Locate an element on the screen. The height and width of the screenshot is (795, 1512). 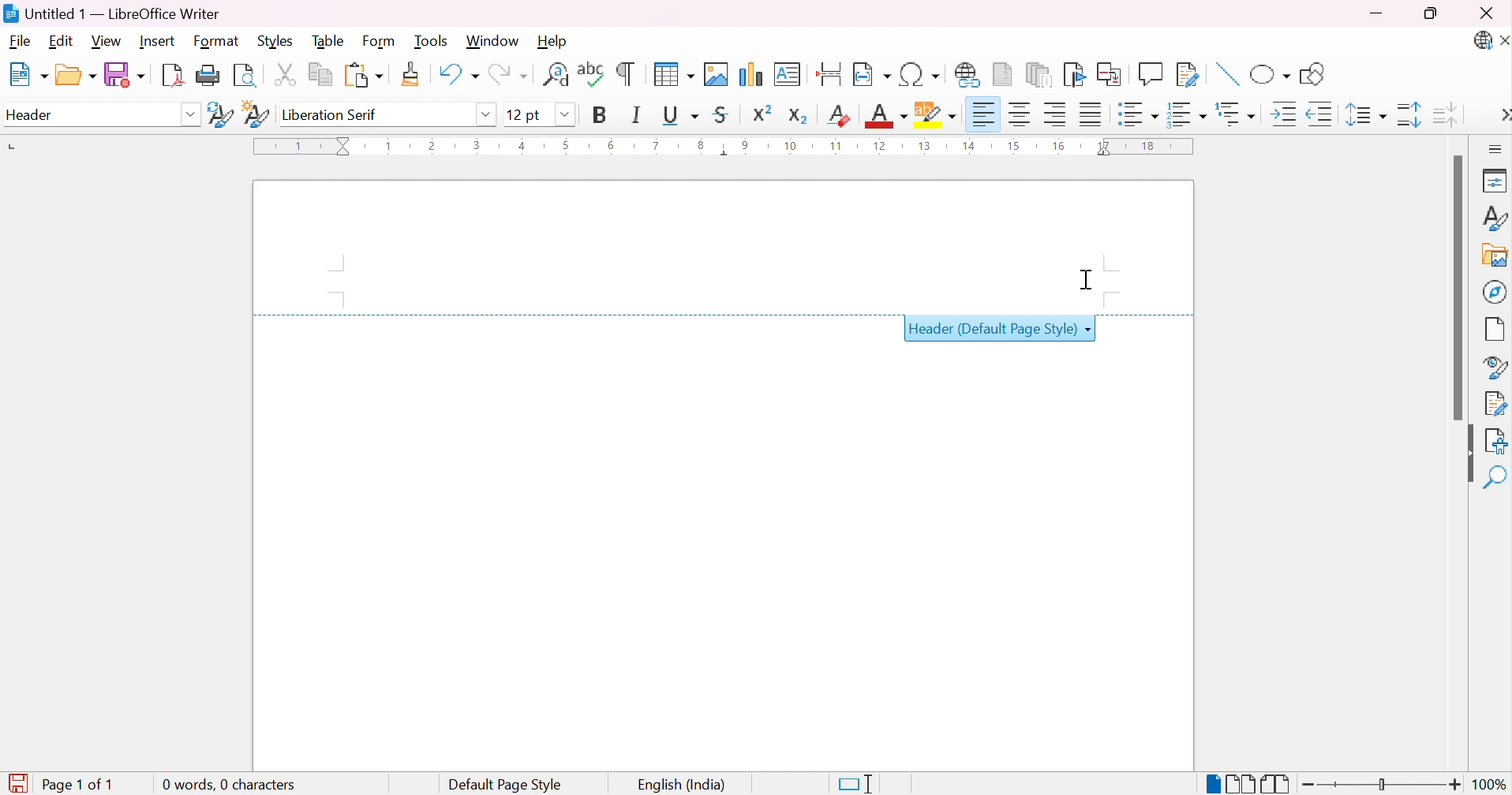
Insert comment is located at coordinates (1149, 76).